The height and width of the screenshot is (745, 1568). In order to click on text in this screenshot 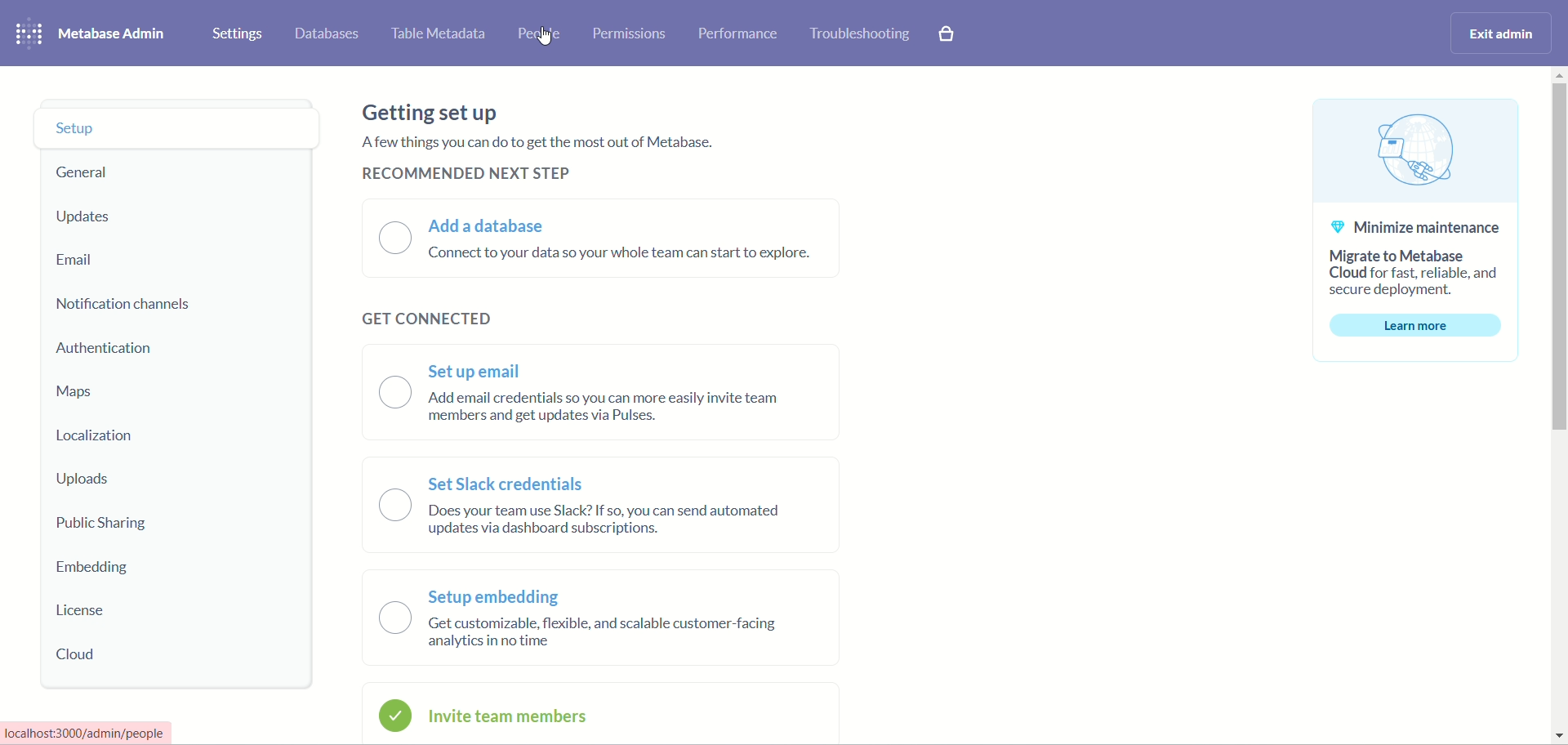, I will do `click(1414, 235)`.